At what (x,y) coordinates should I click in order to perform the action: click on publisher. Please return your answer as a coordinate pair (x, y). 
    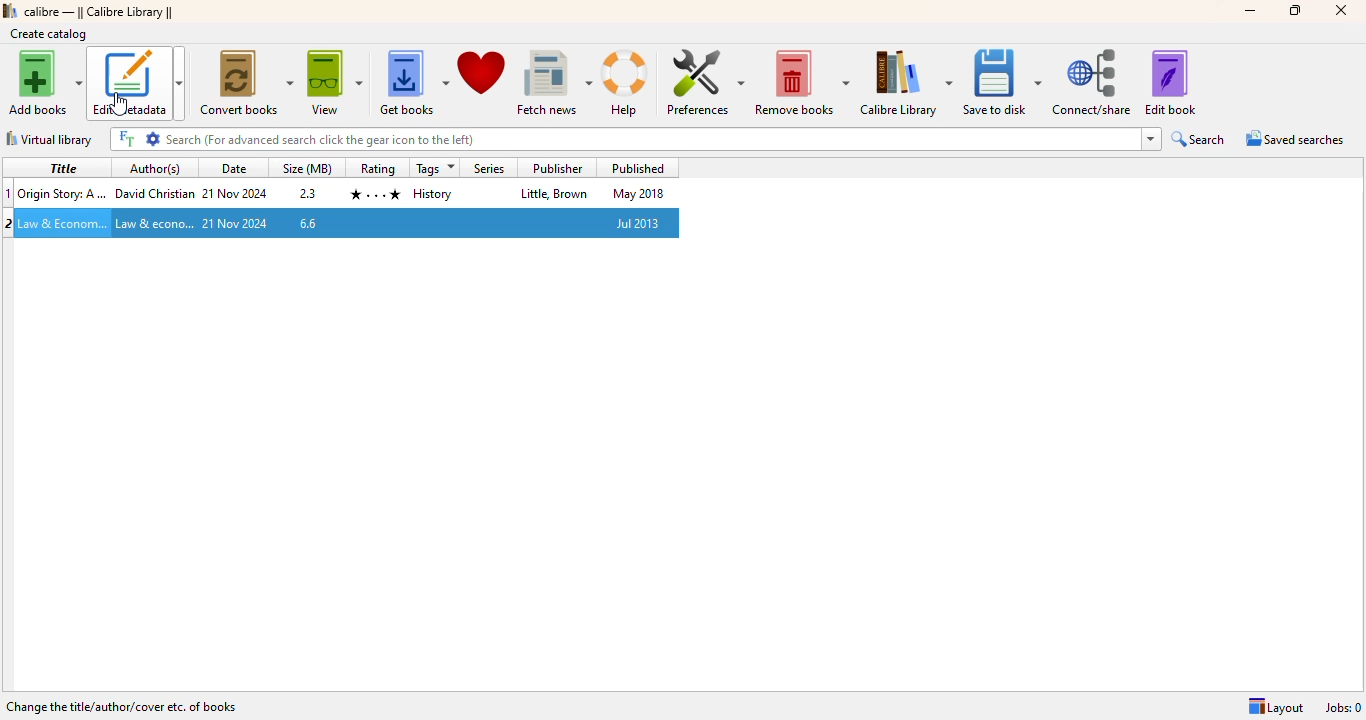
    Looking at the image, I should click on (554, 167).